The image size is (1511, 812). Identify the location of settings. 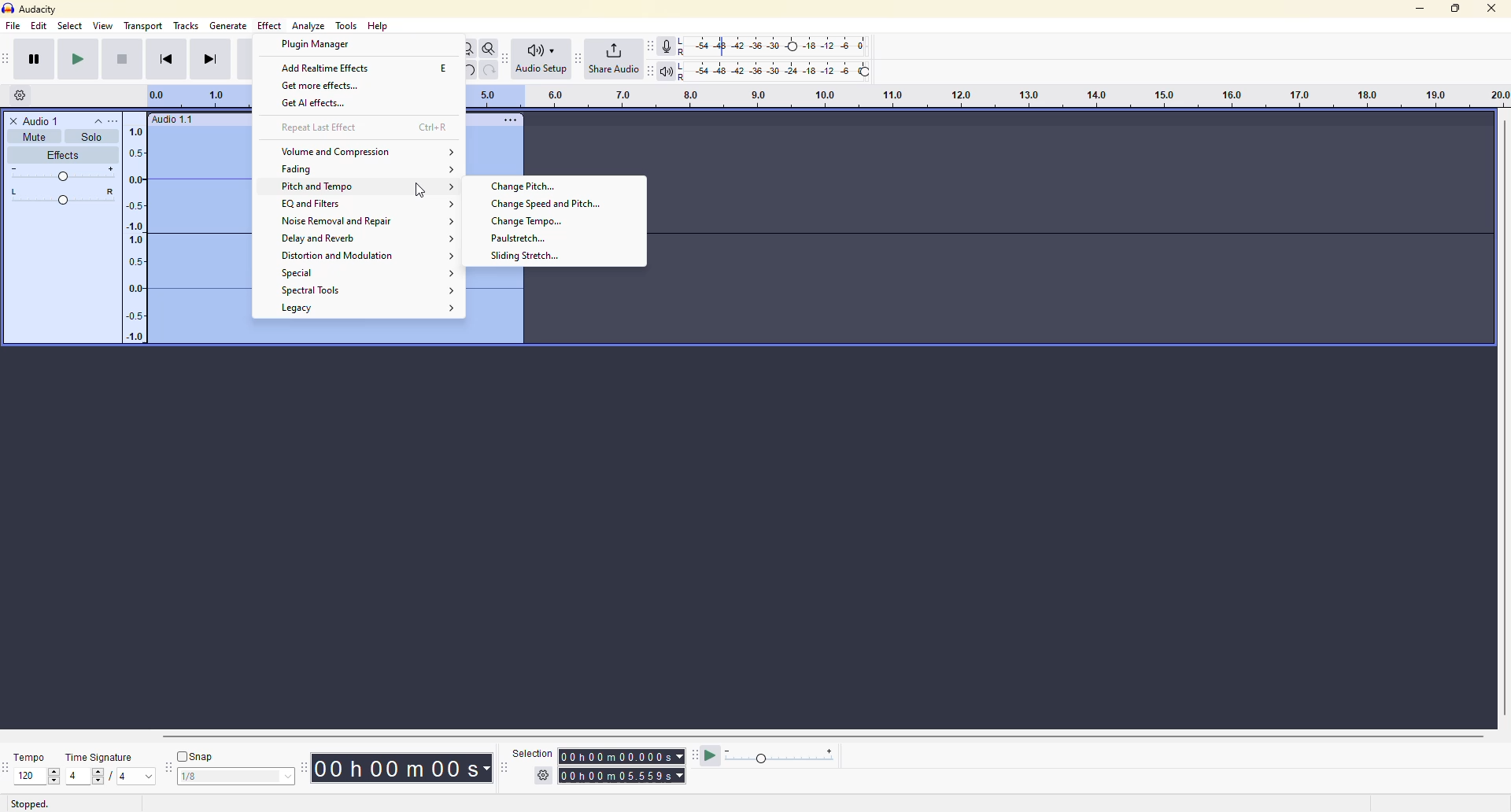
(545, 775).